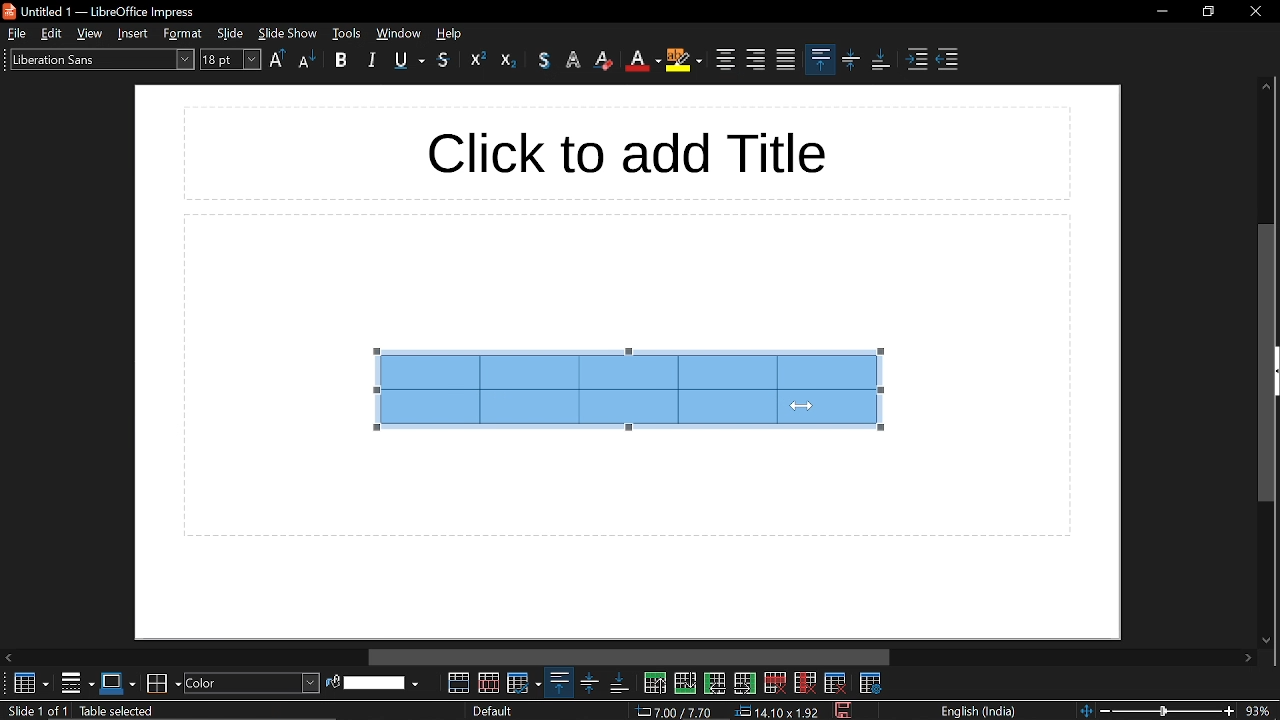 The image size is (1280, 720). What do you see at coordinates (872, 683) in the screenshot?
I see `table properties` at bounding box center [872, 683].